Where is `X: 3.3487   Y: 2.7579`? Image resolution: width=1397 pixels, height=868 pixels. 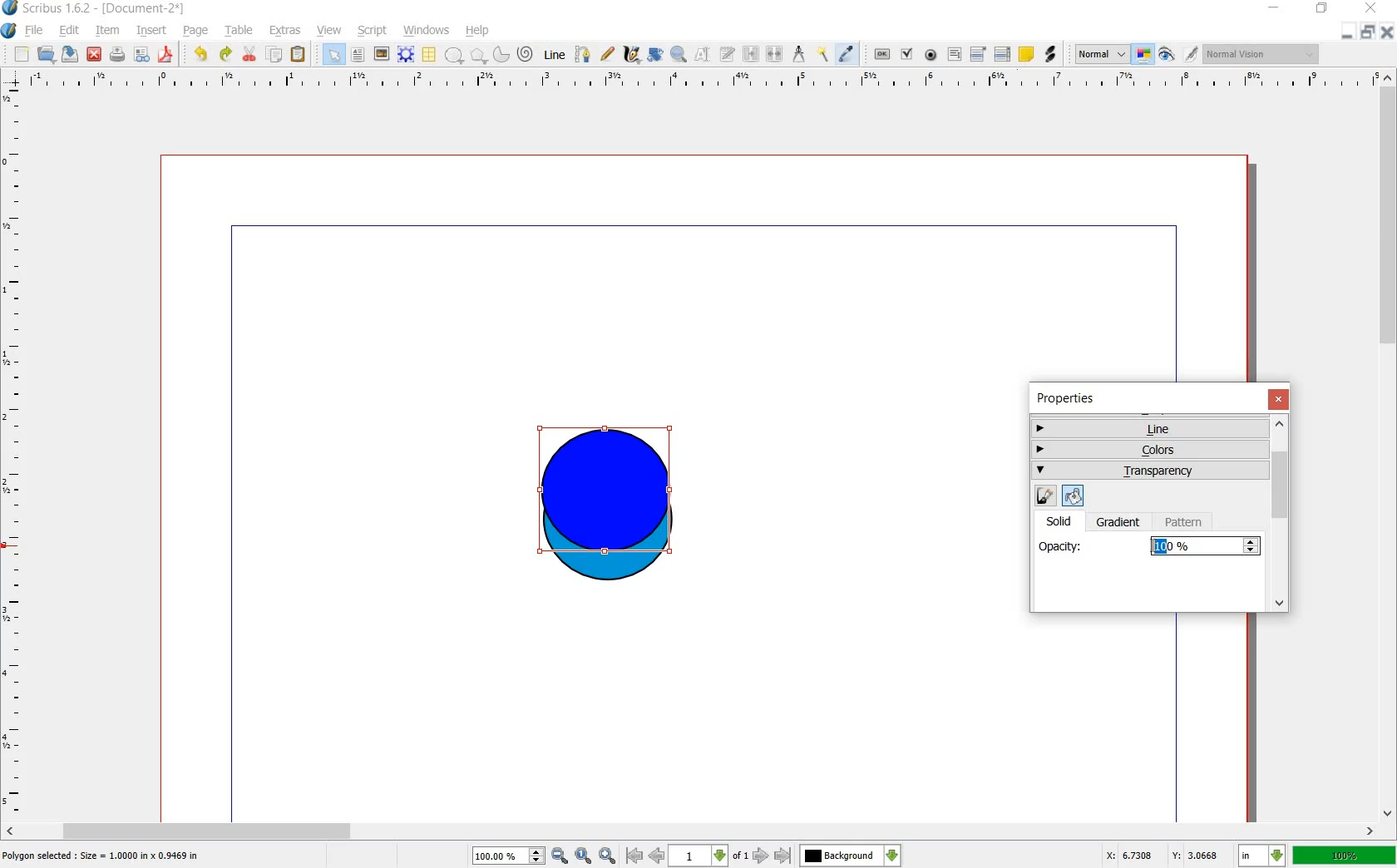
X: 3.3487   Y: 2.7579 is located at coordinates (1163, 855).